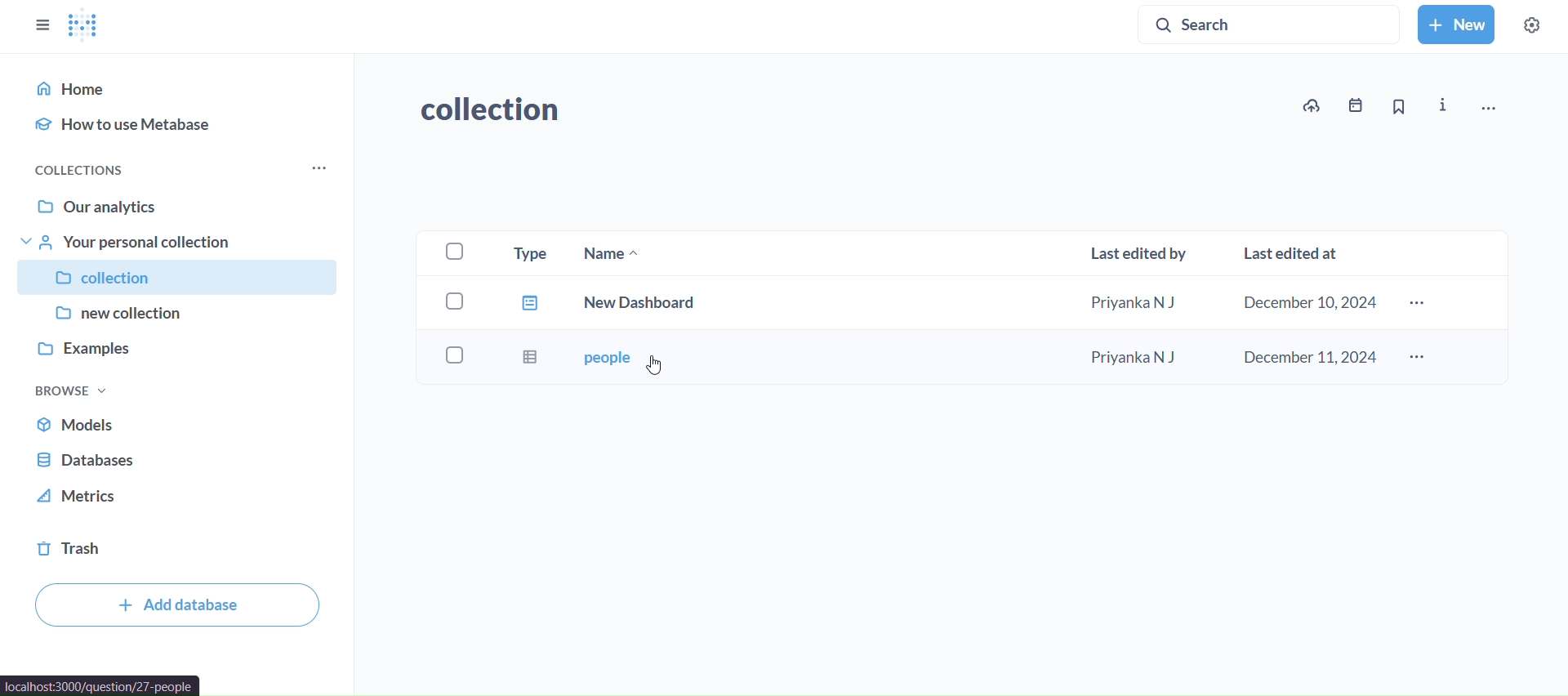 This screenshot has width=1568, height=696. I want to click on collection, so click(488, 112).